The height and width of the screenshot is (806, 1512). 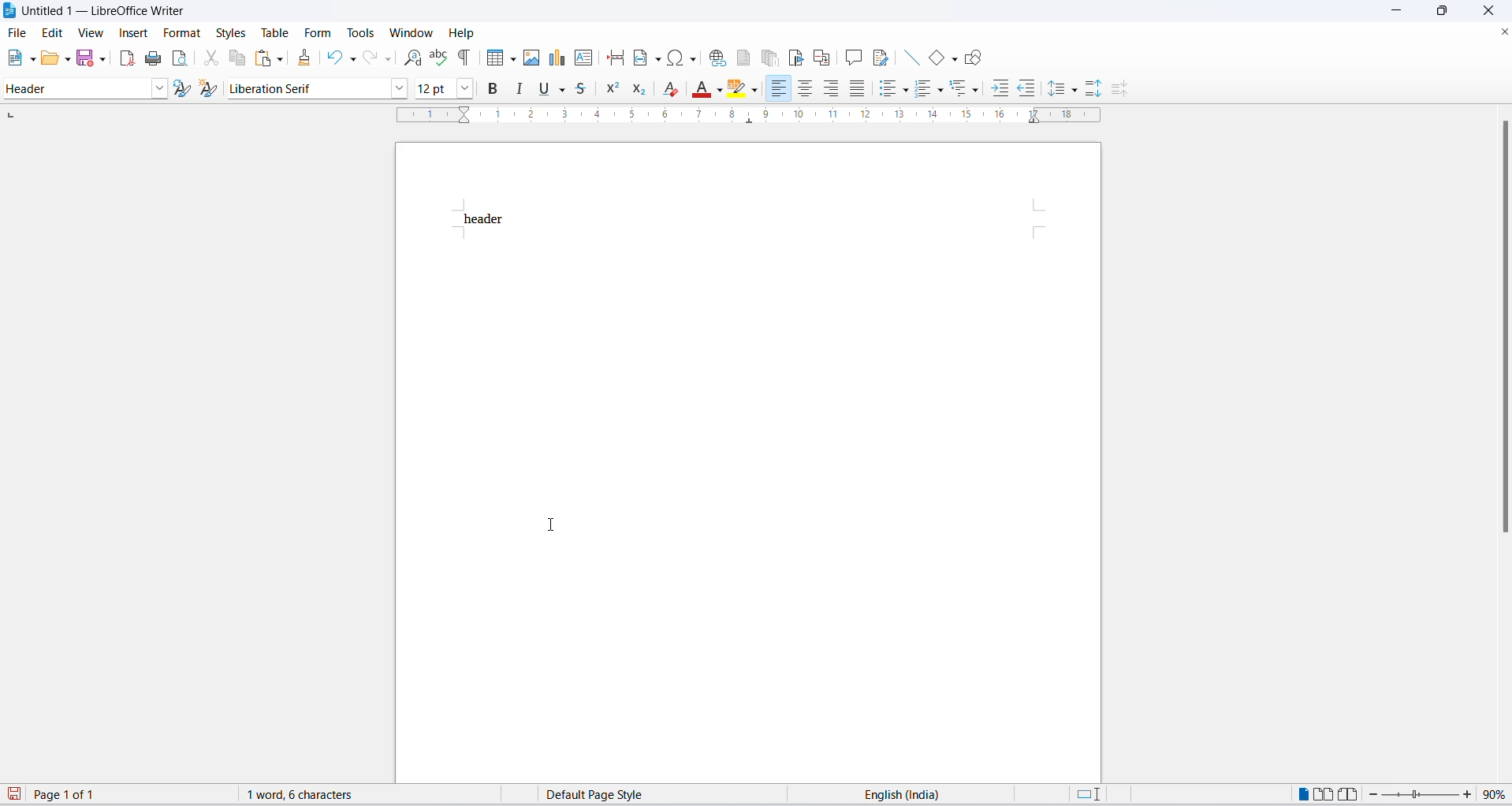 What do you see at coordinates (408, 33) in the screenshot?
I see `window` at bounding box center [408, 33].